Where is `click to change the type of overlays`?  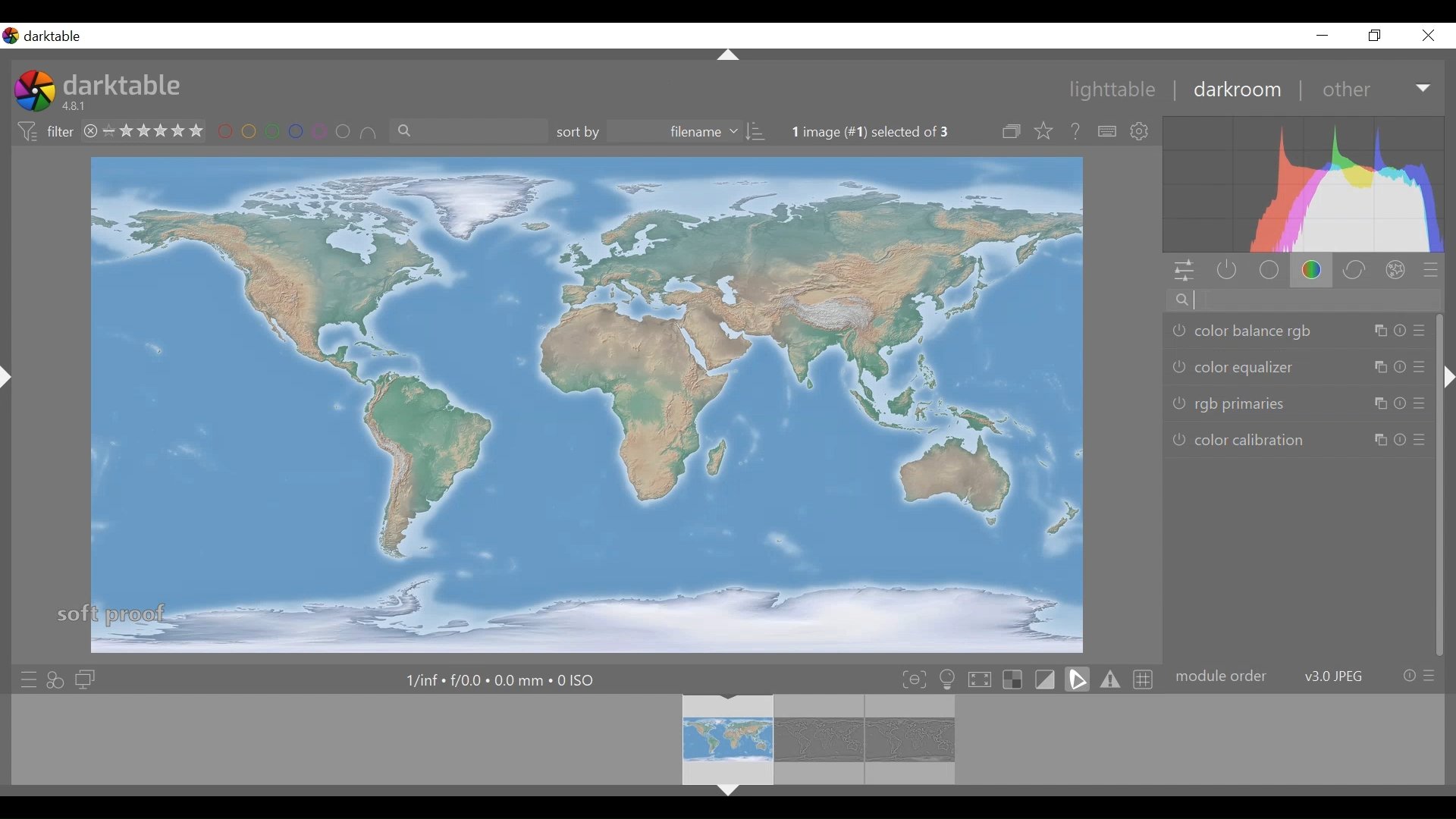 click to change the type of overlays is located at coordinates (1045, 132).